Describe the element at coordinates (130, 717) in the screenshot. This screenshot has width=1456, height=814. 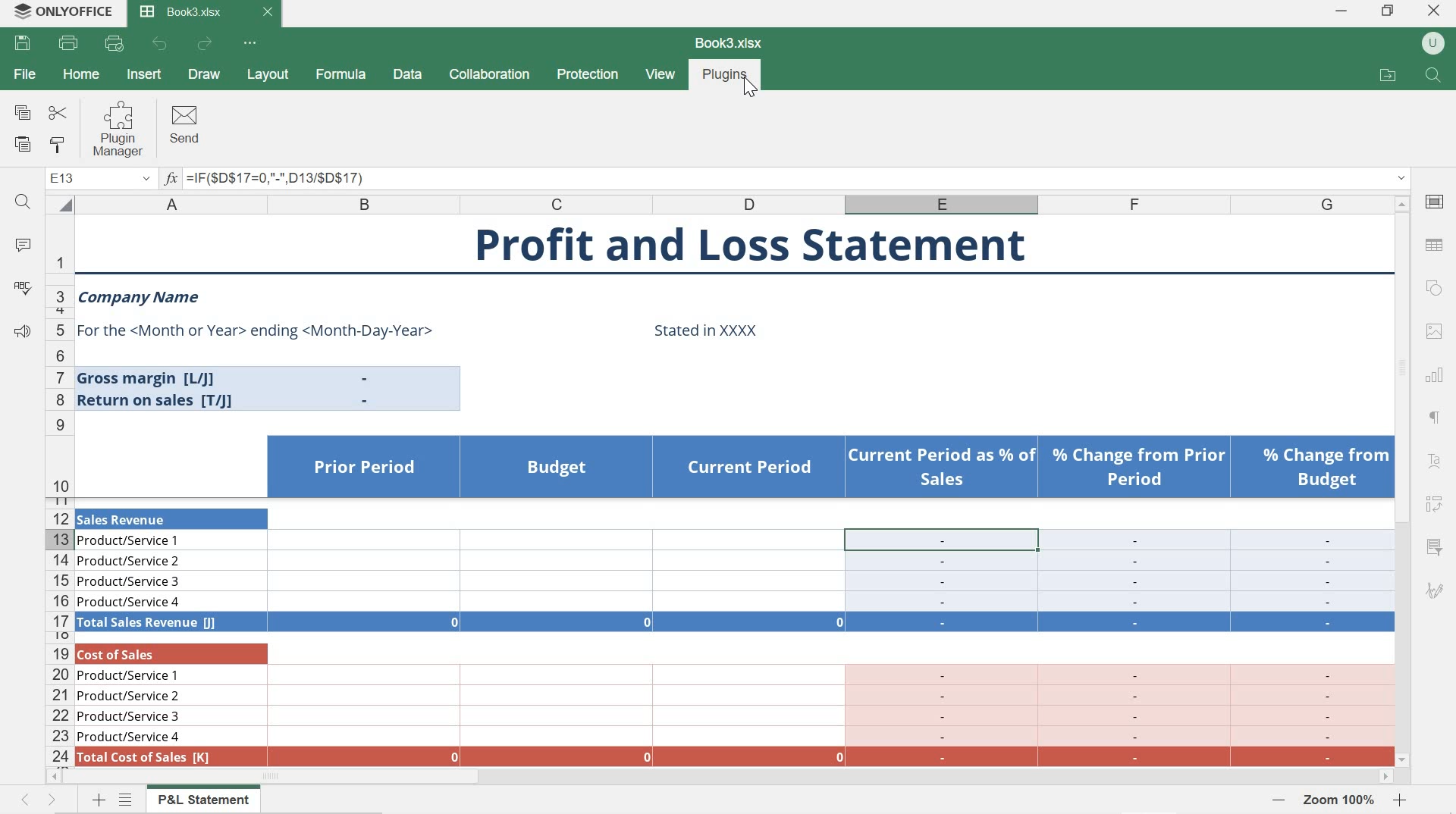
I see `Product/Service 3` at that location.